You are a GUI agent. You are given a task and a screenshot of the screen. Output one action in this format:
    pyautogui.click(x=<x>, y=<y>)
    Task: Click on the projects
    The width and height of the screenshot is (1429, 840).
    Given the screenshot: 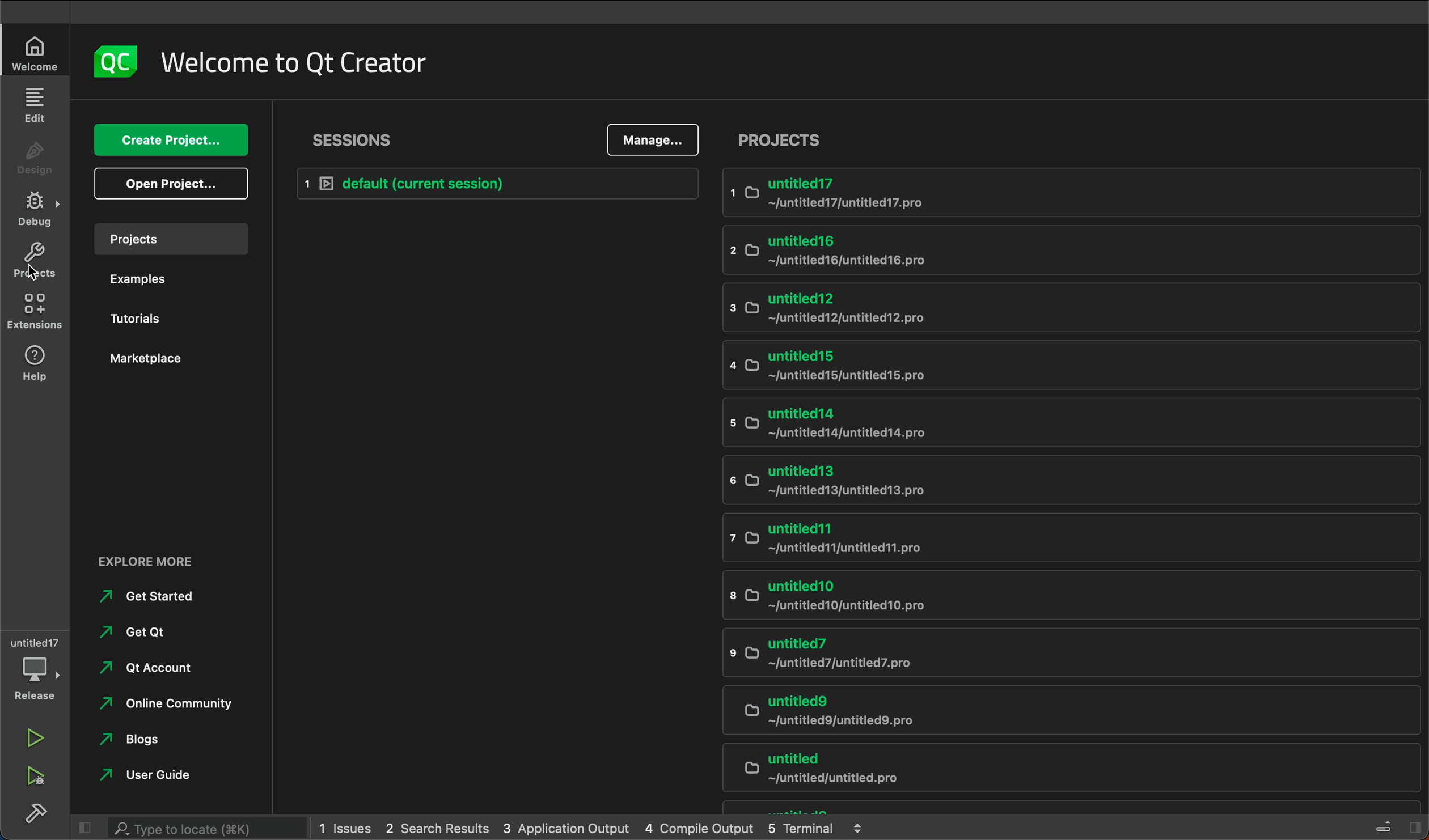 What is the action you would take?
    pyautogui.click(x=1075, y=143)
    